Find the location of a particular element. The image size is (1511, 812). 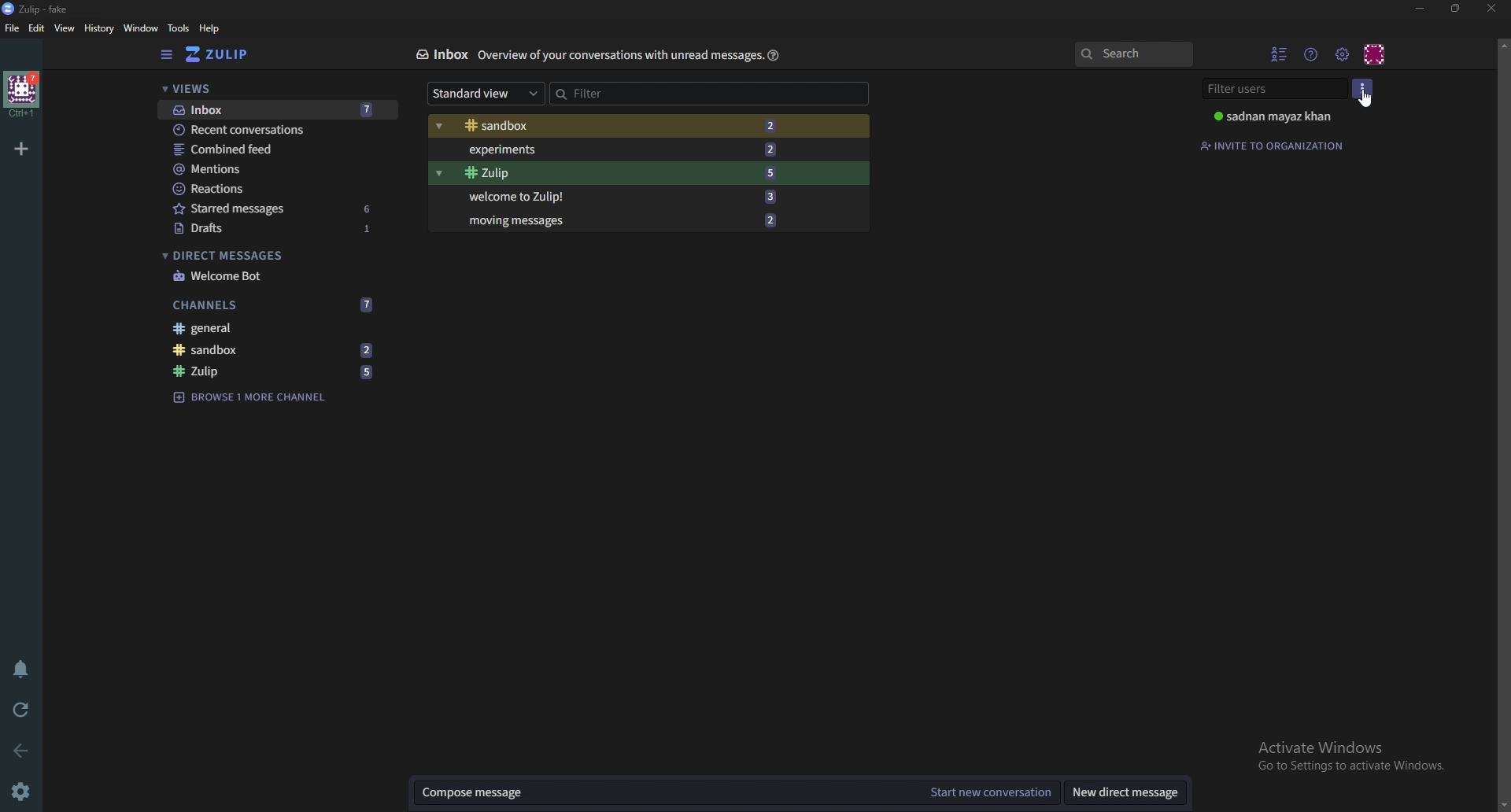

General is located at coordinates (275, 328).